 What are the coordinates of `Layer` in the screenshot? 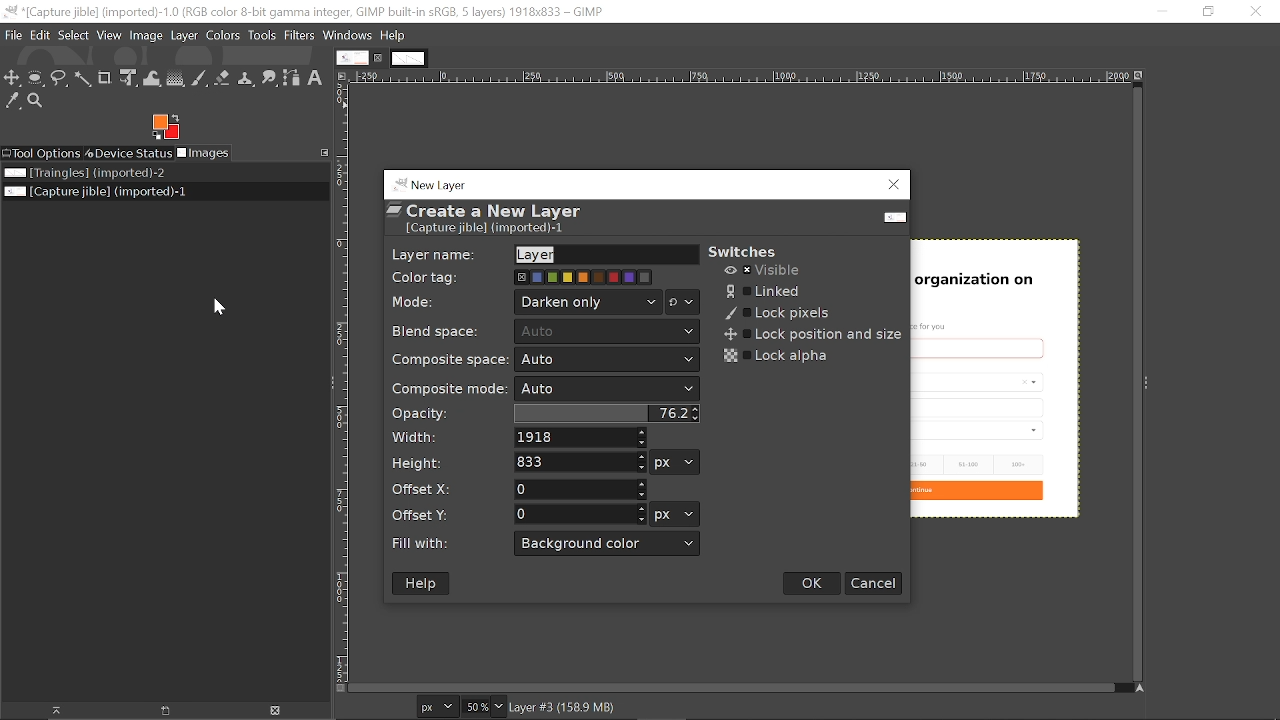 It's located at (185, 35).